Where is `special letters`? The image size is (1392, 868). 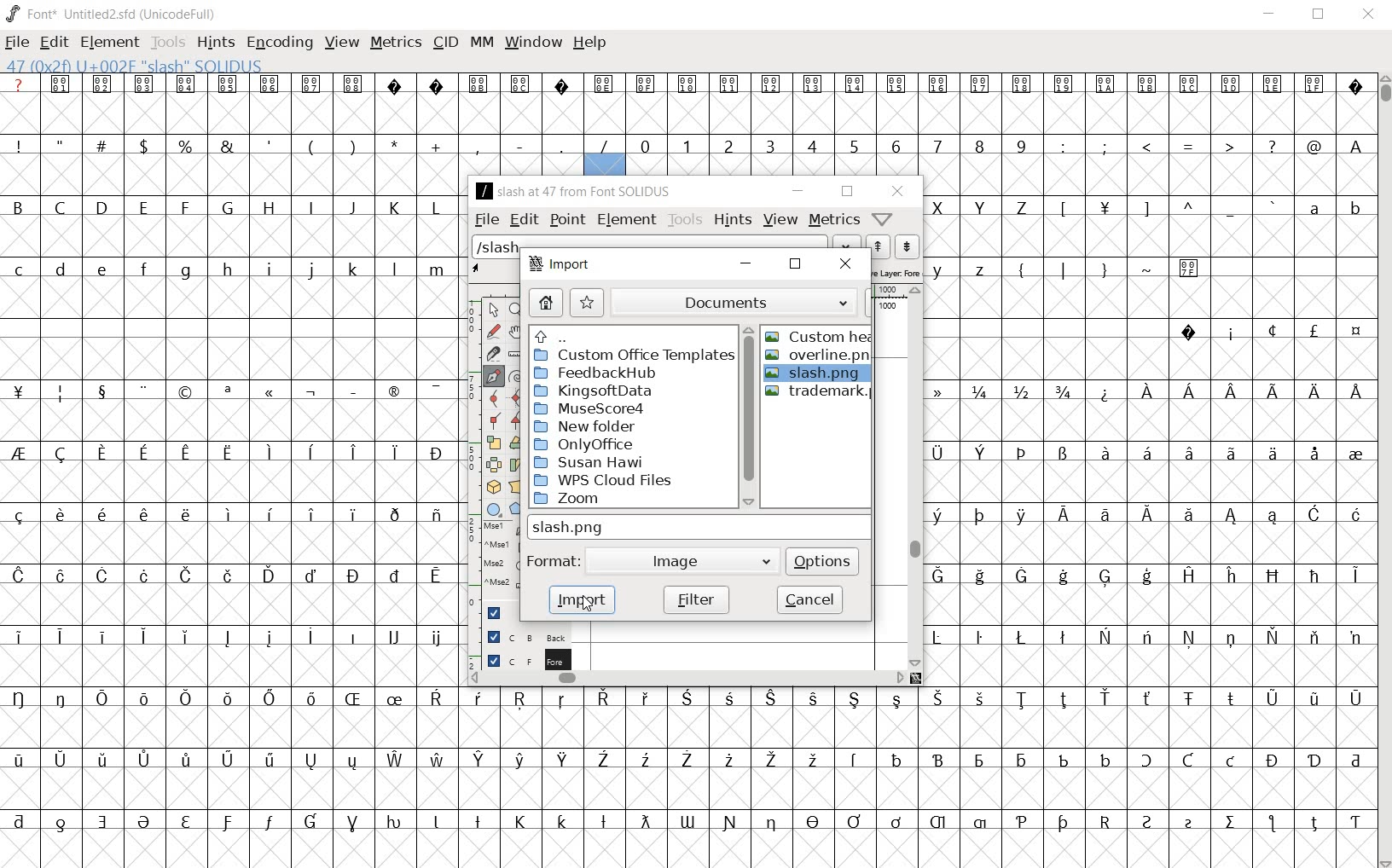 special letters is located at coordinates (1148, 451).